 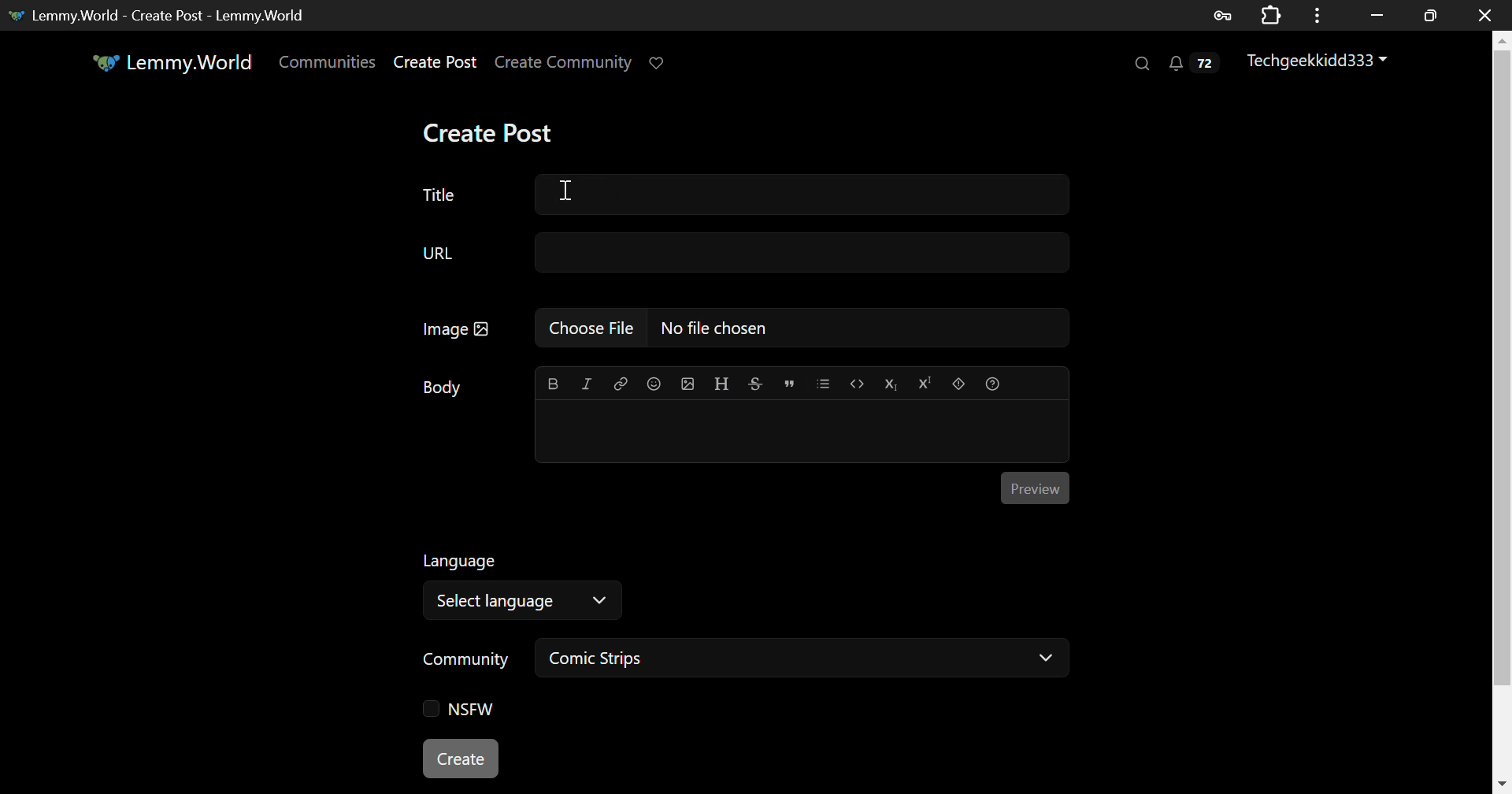 What do you see at coordinates (327, 61) in the screenshot?
I see `Communities Page Hyperlink` at bounding box center [327, 61].